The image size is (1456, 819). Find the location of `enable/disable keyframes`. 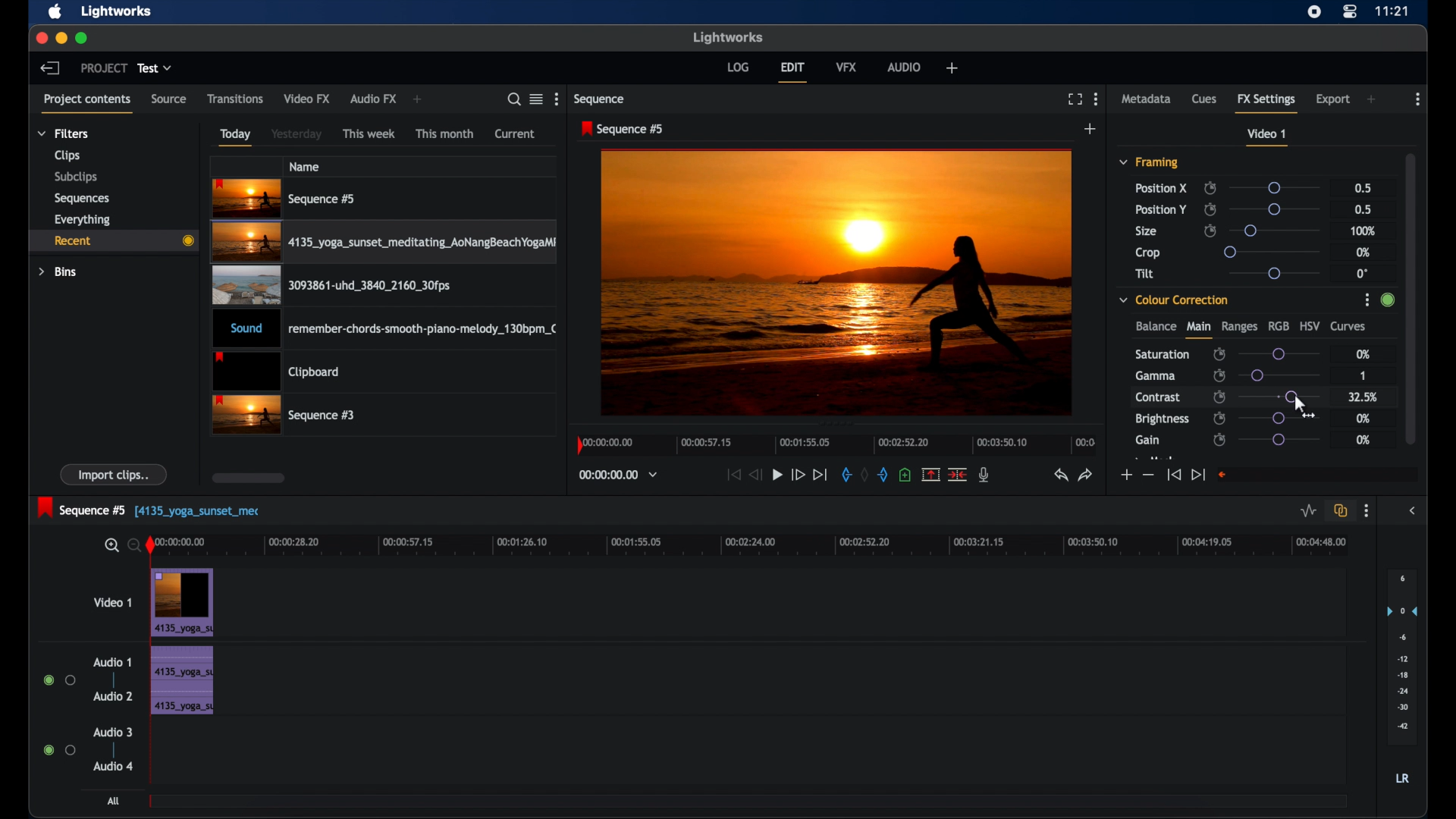

enable/disable keyframes is located at coordinates (1210, 188).